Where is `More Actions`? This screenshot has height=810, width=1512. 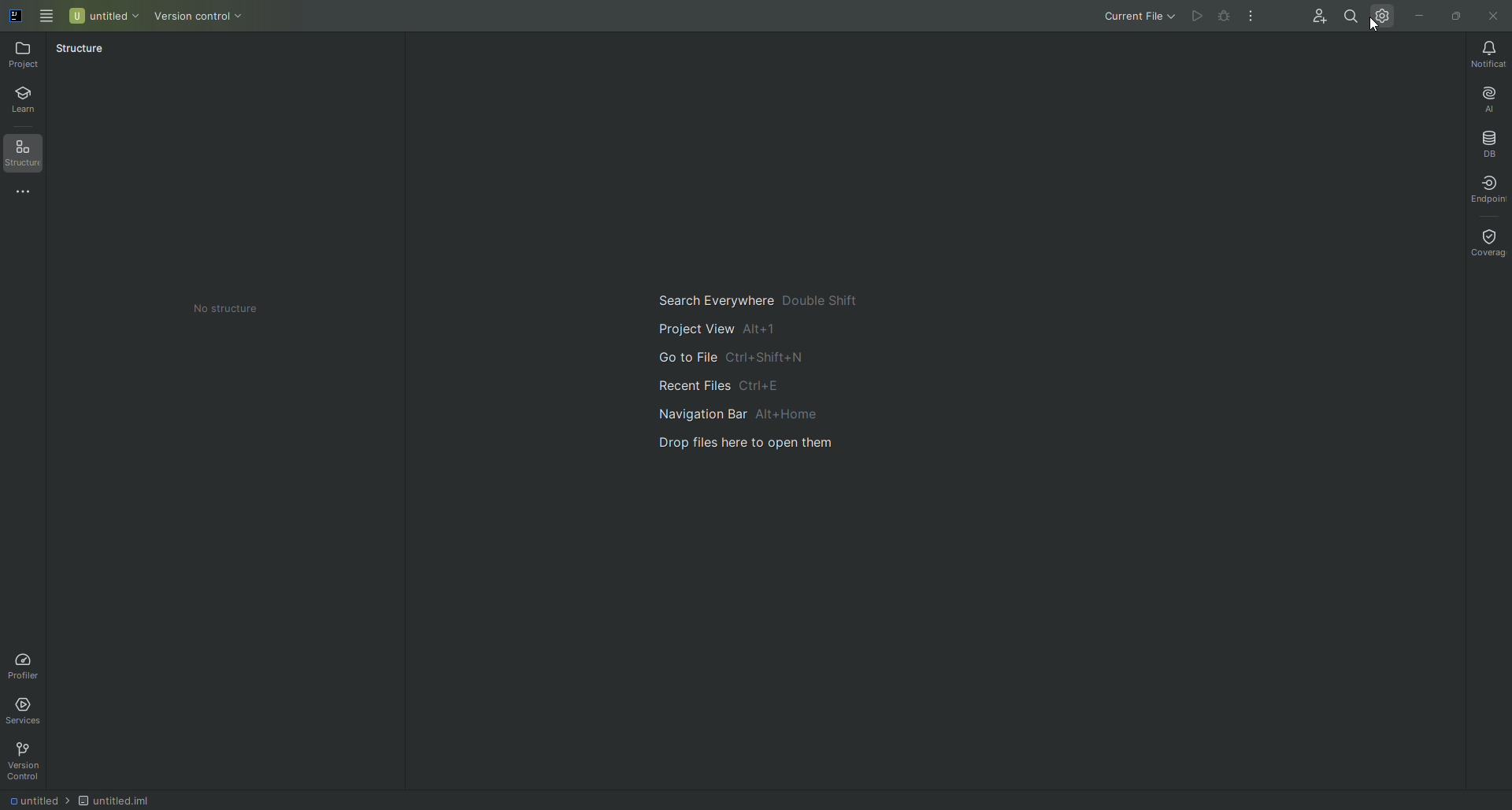
More Actions is located at coordinates (1252, 17).